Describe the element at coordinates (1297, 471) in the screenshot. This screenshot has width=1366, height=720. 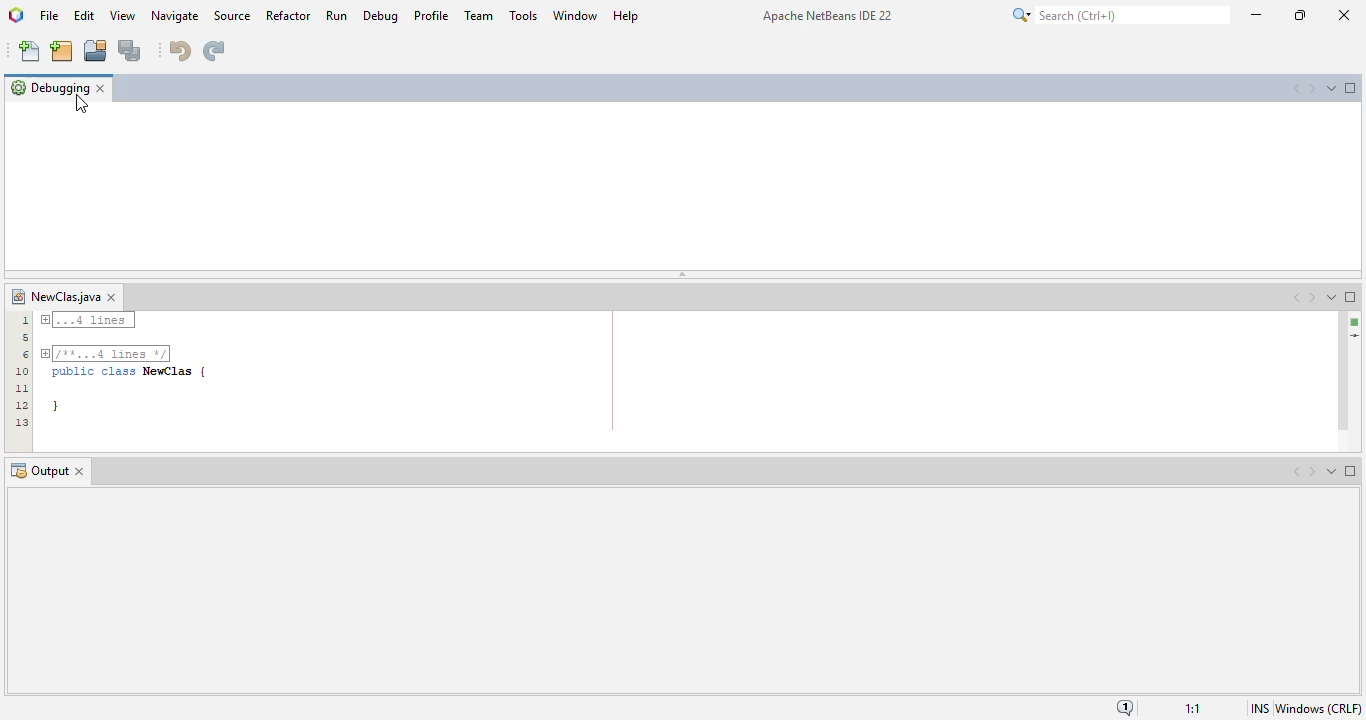
I see `scroll documents left` at that location.